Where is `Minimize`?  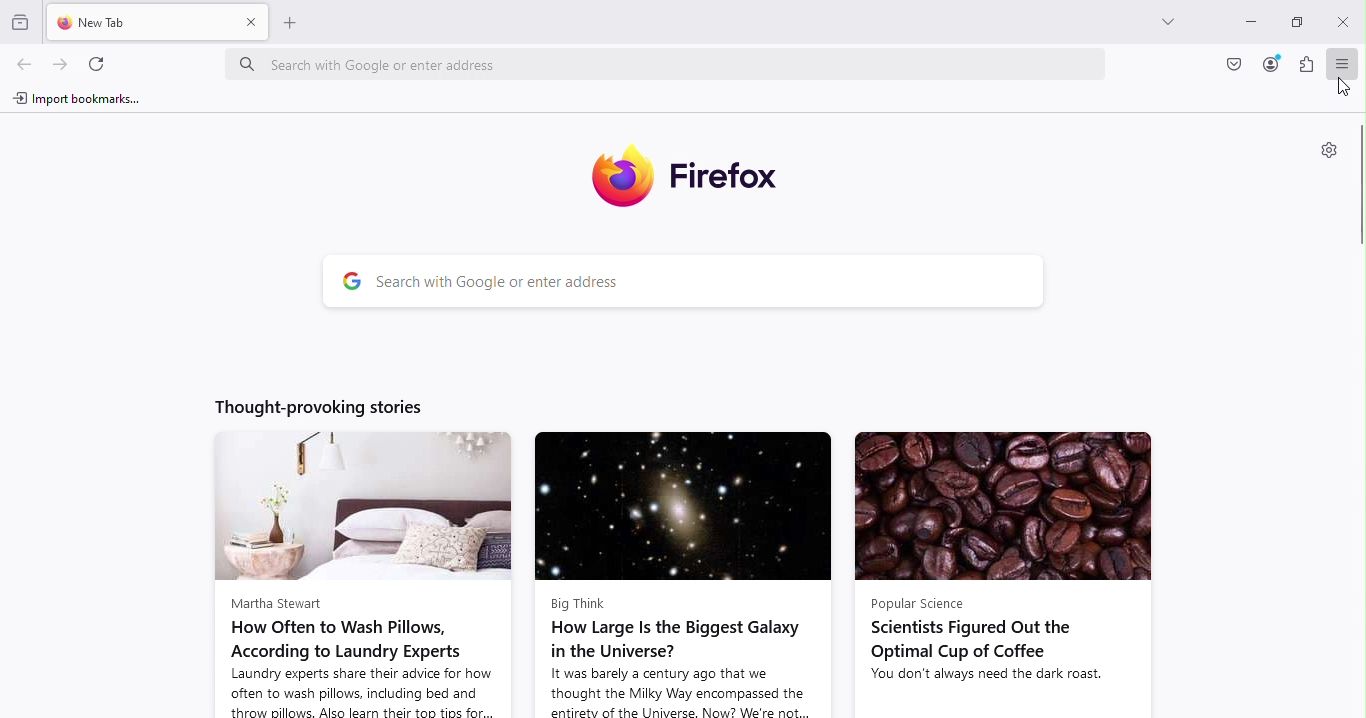 Minimize is located at coordinates (1250, 22).